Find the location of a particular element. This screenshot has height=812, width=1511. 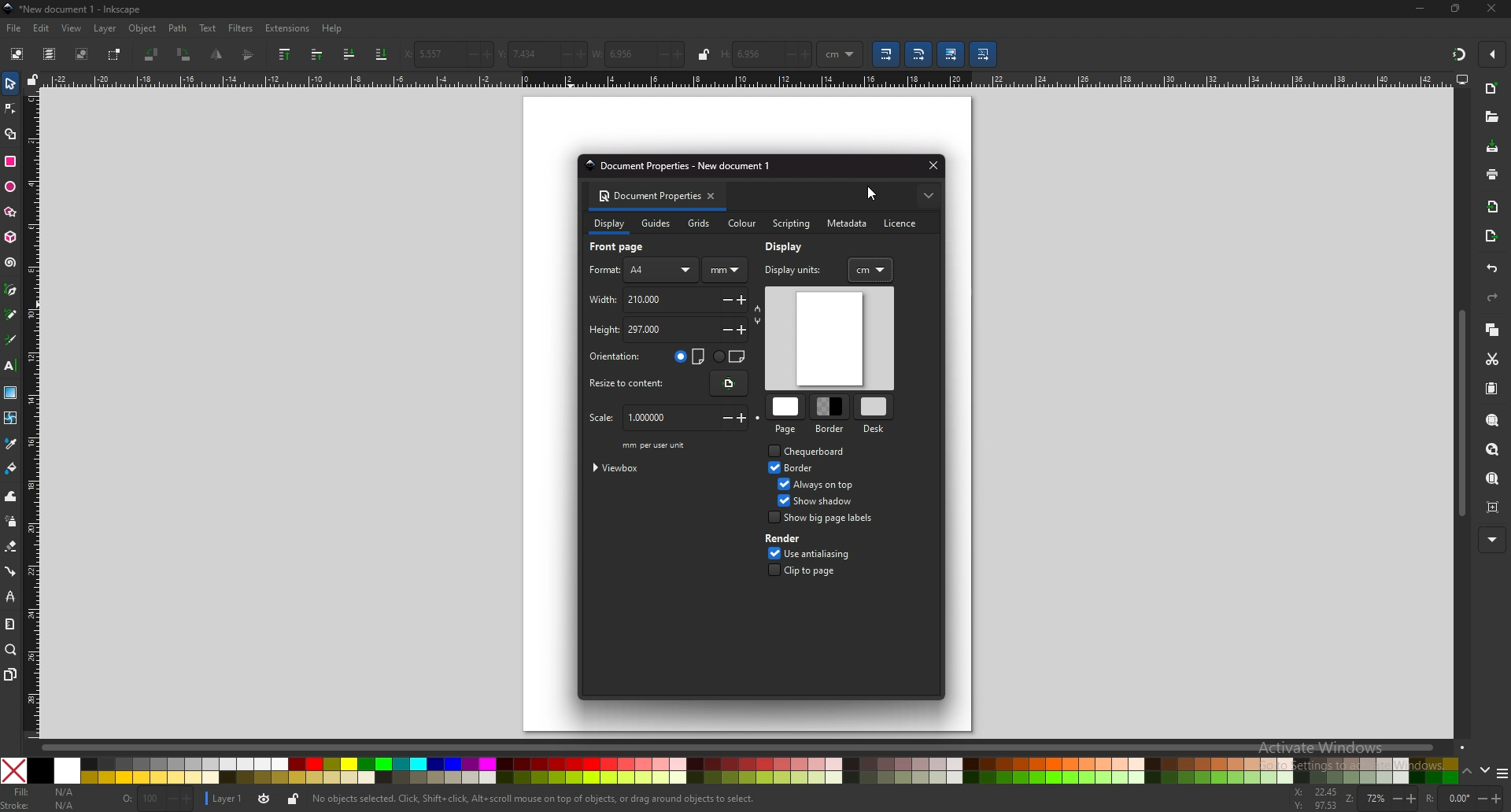

more is located at coordinates (928, 196).